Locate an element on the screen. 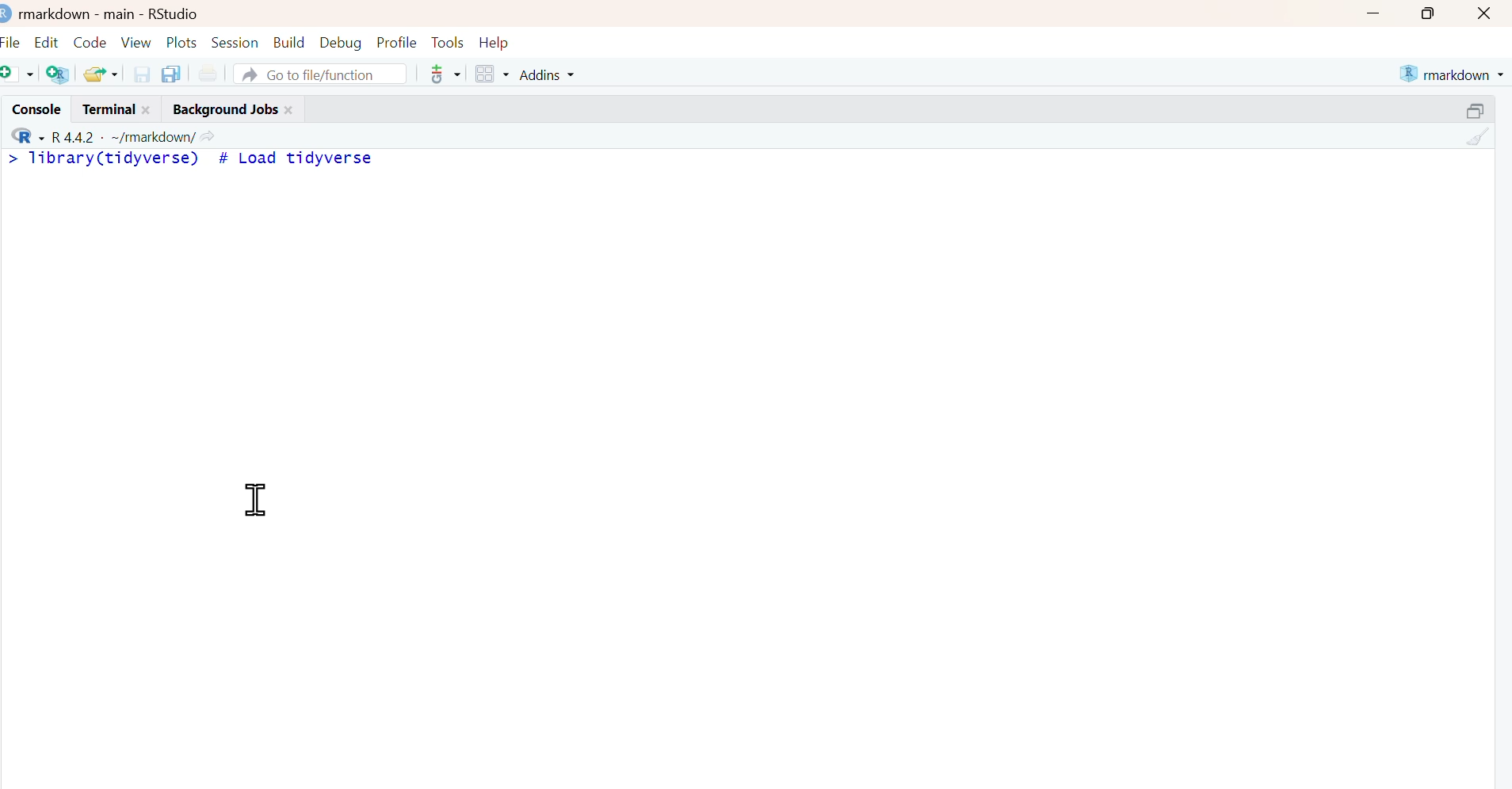  maximize is located at coordinates (1434, 13).